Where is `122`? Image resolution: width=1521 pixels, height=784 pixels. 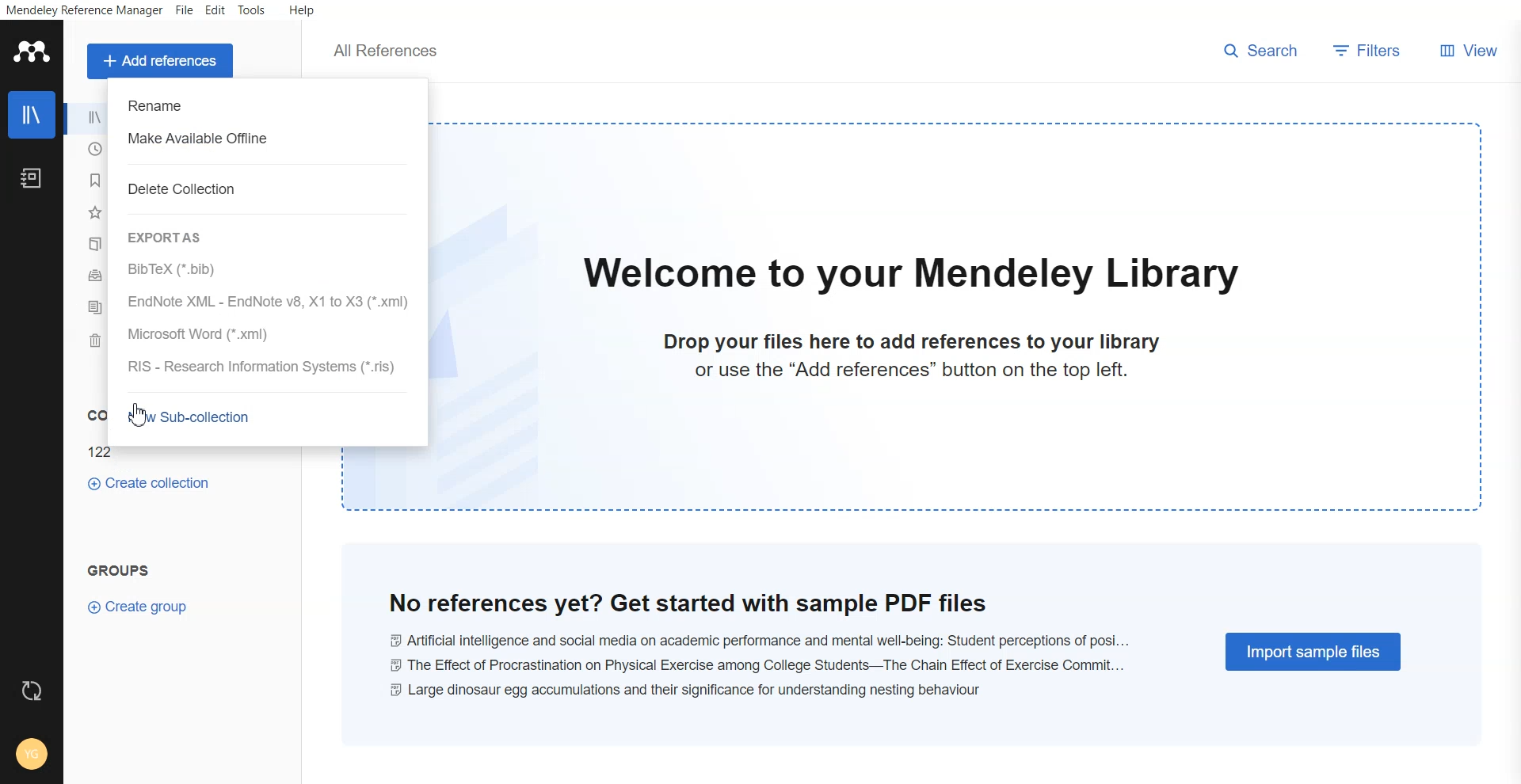
122 is located at coordinates (99, 455).